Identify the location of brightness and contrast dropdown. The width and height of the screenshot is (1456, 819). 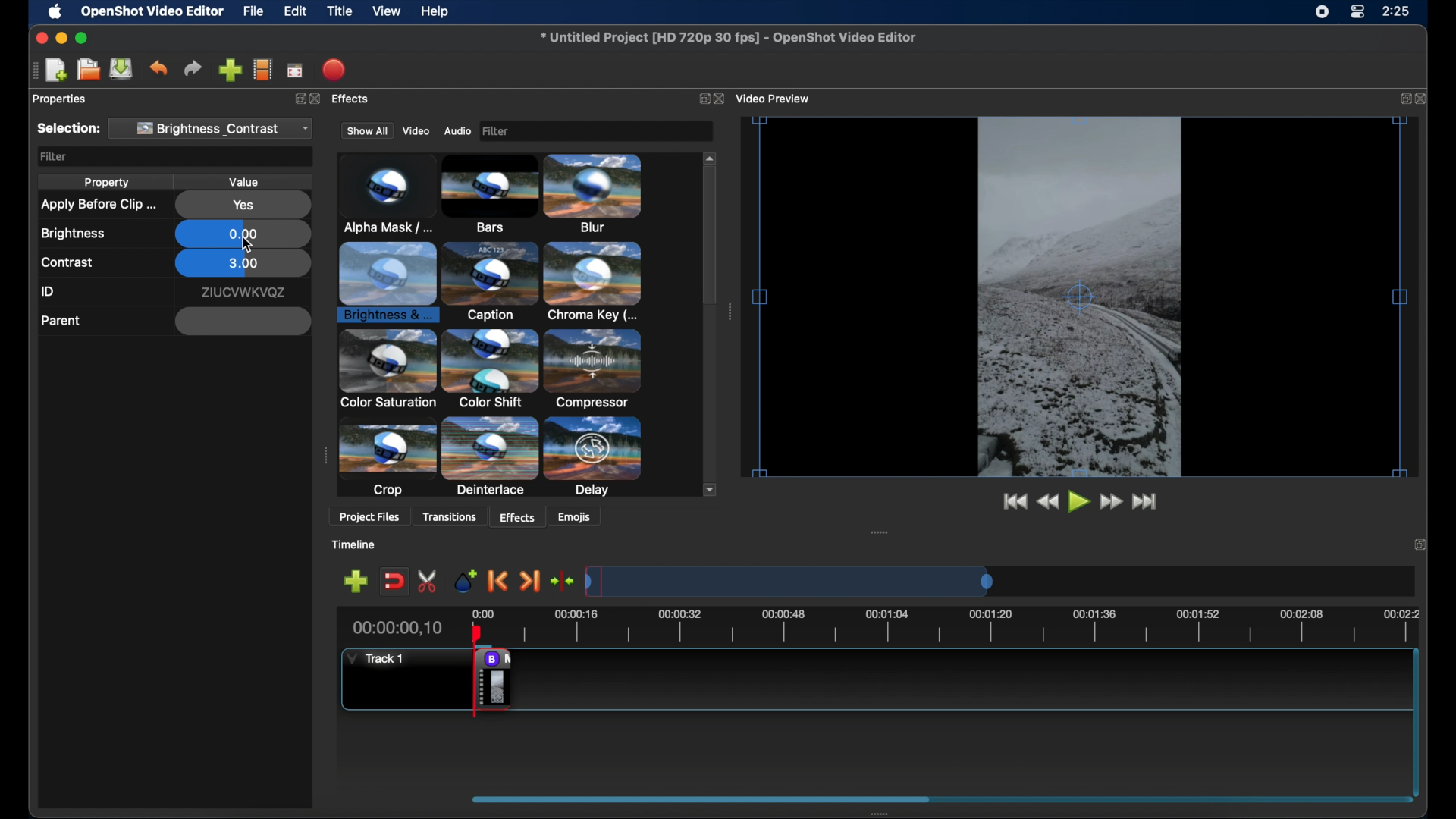
(215, 128).